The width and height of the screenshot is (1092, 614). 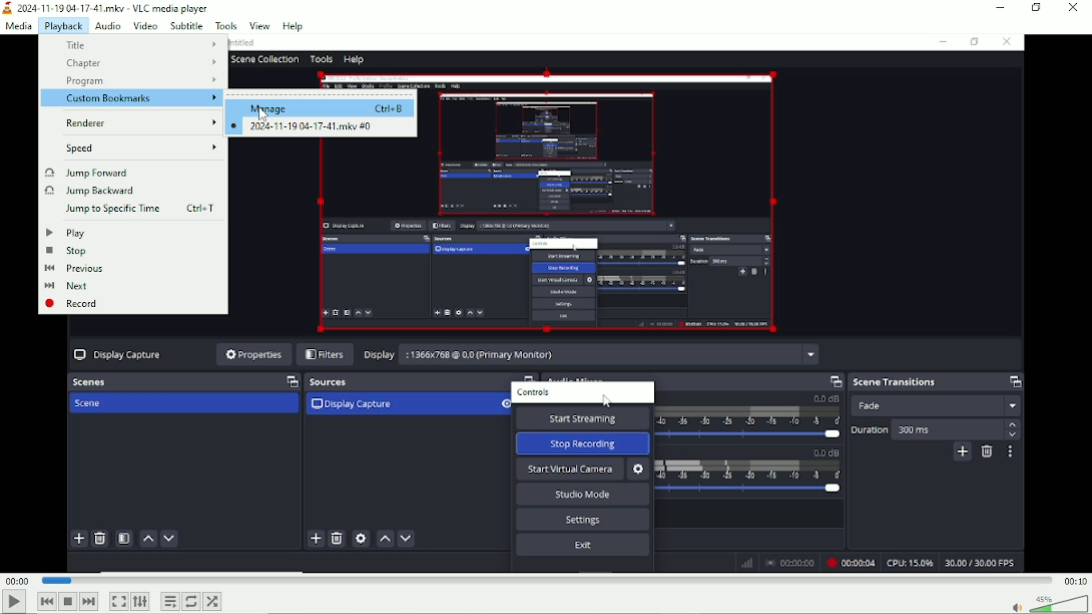 What do you see at coordinates (1074, 581) in the screenshot?
I see `00:10` at bounding box center [1074, 581].